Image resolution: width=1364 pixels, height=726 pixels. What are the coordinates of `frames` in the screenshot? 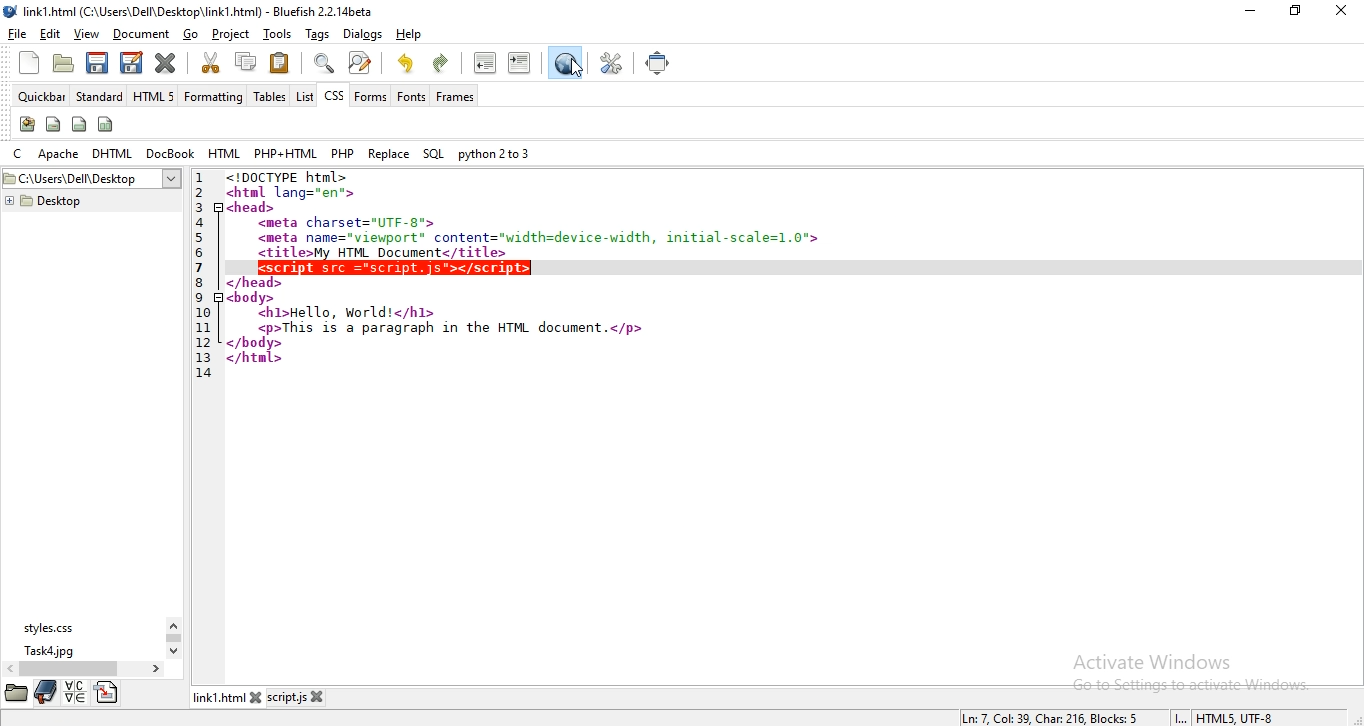 It's located at (454, 96).